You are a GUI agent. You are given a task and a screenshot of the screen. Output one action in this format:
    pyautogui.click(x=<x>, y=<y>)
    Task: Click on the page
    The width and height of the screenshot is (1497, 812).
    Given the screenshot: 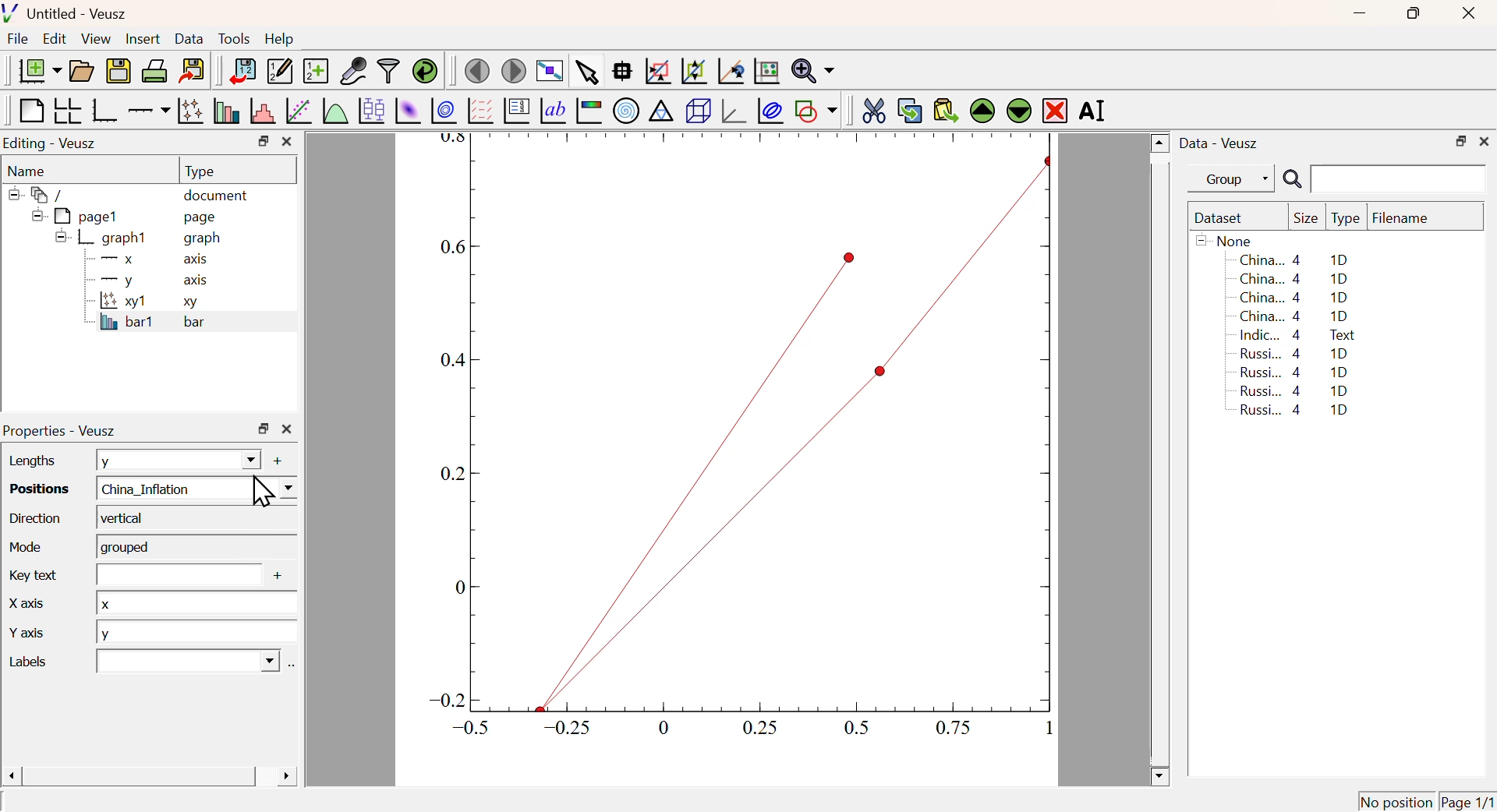 What is the action you would take?
    pyautogui.click(x=203, y=217)
    